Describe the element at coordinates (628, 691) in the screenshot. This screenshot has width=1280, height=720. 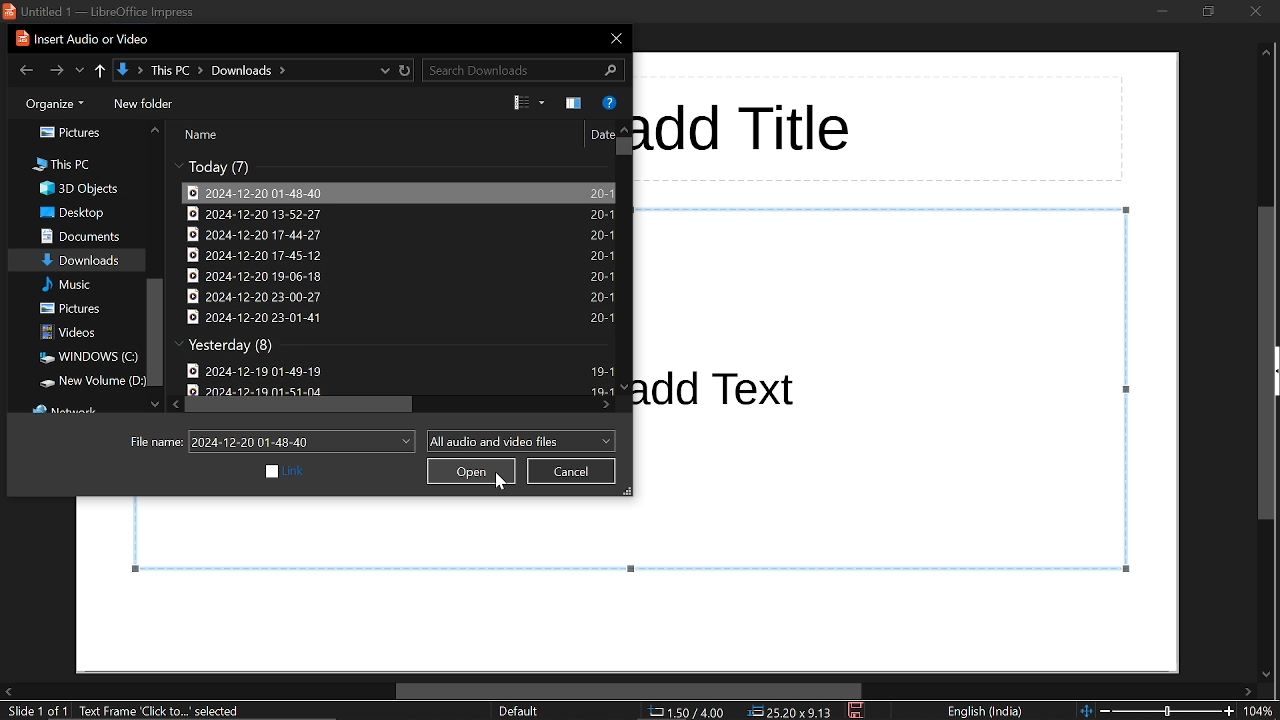
I see `horizontal scrollbar` at that location.